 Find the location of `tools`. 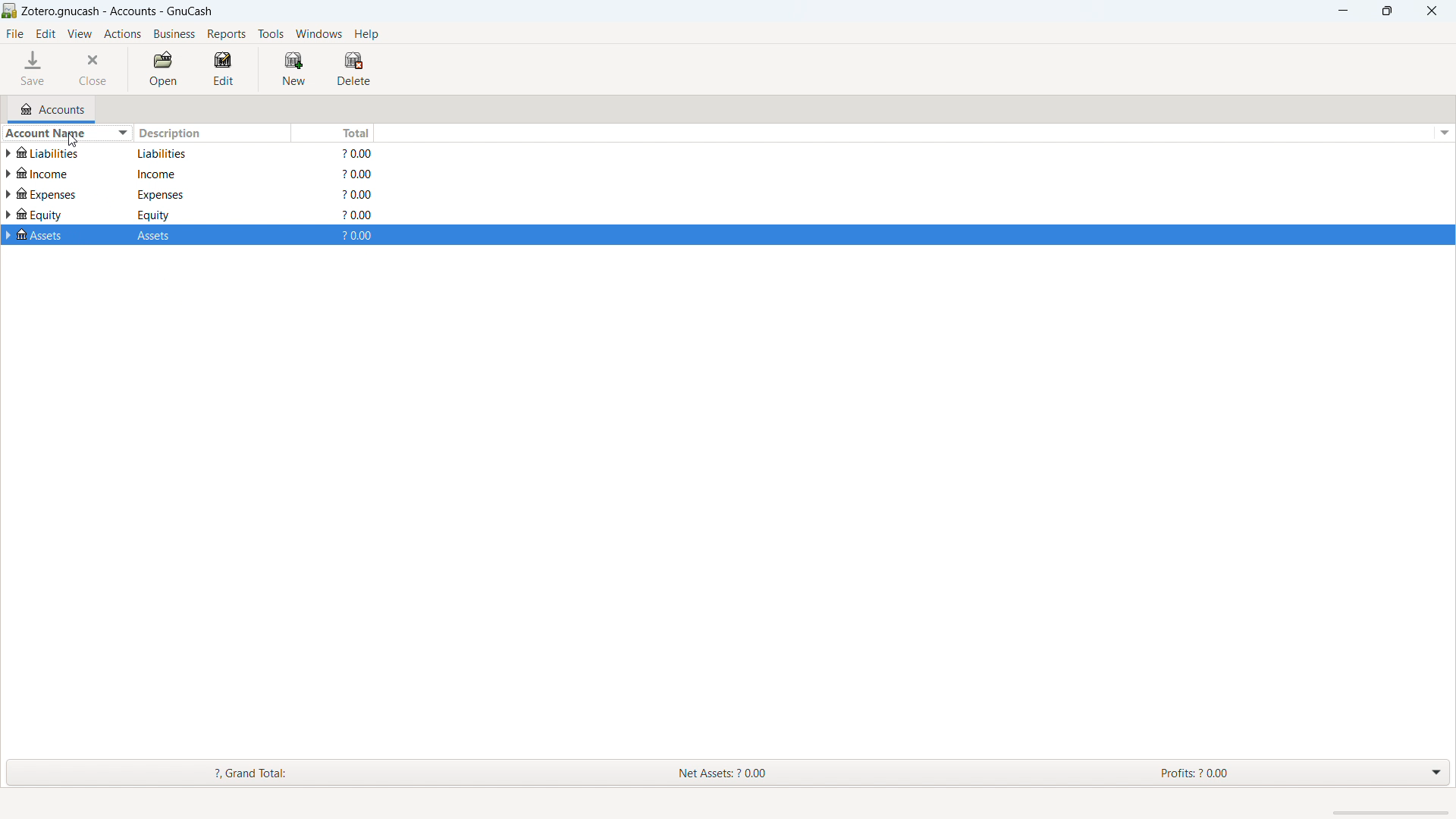

tools is located at coordinates (271, 34).